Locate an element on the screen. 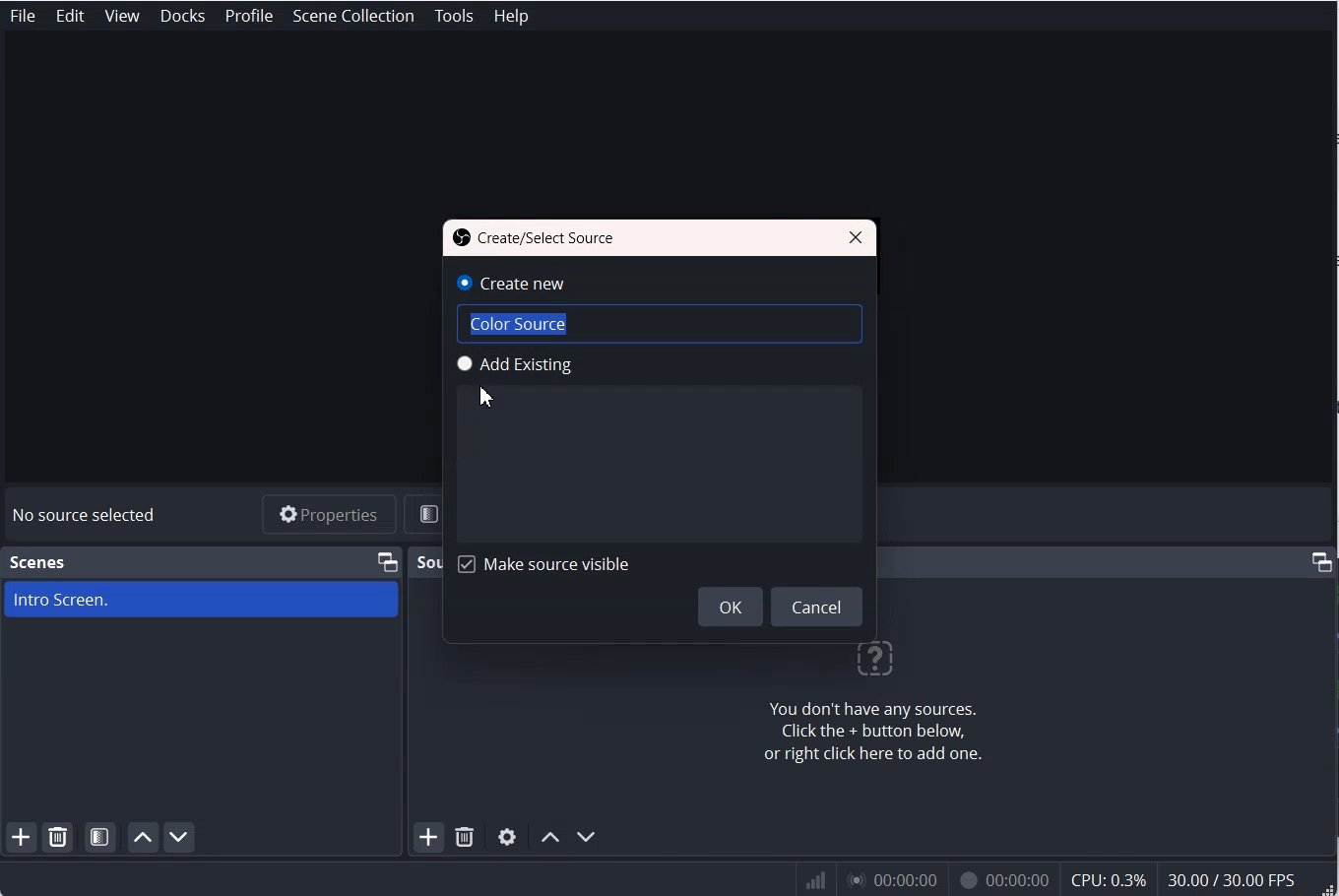 Image resolution: width=1339 pixels, height=896 pixels. Add Existing is located at coordinates (587, 365).